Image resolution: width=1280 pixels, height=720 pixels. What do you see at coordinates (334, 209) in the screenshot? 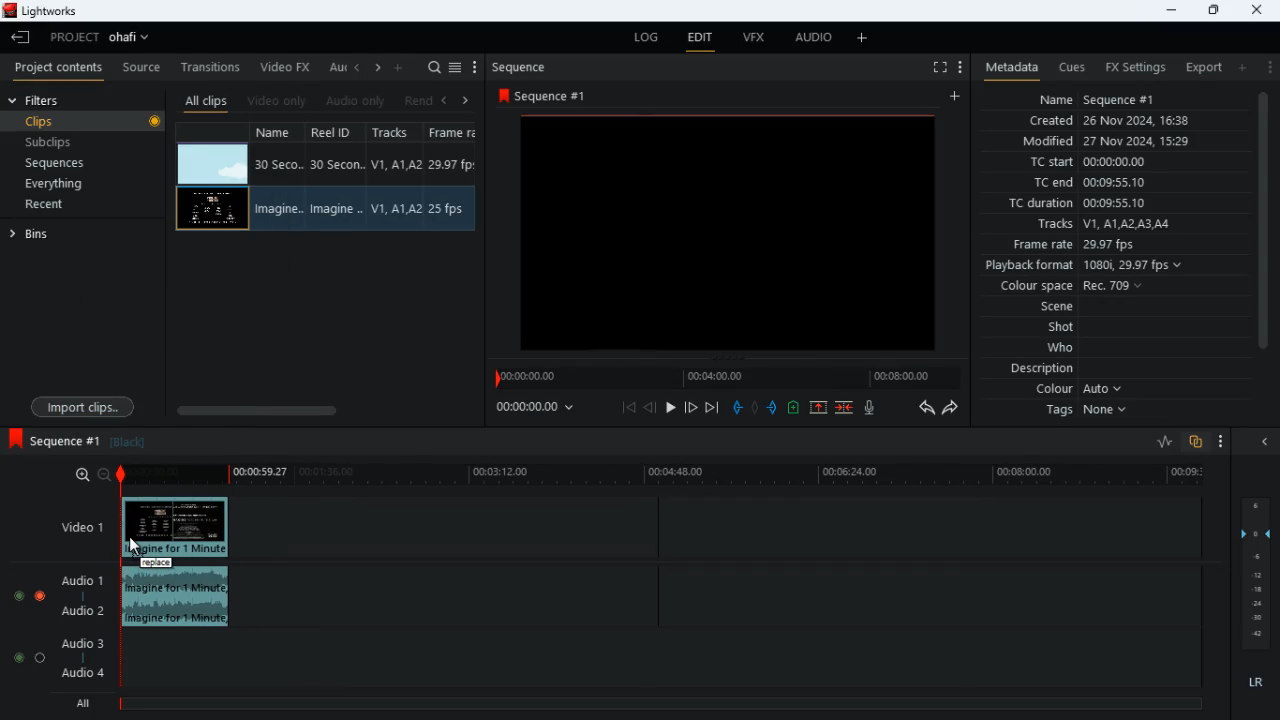
I see `Imagin` at bounding box center [334, 209].